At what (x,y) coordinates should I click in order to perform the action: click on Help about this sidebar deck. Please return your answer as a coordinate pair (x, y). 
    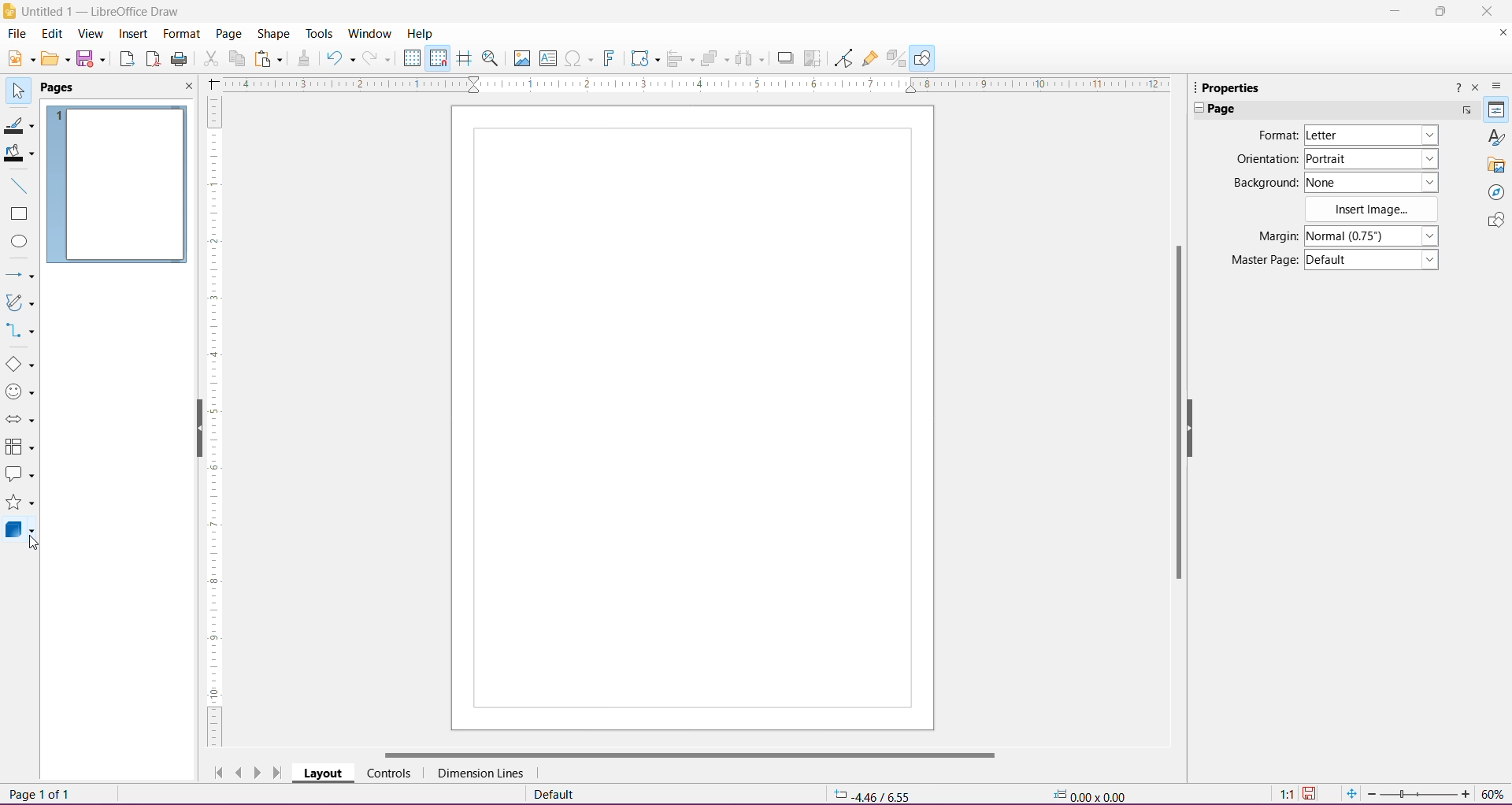
    Looking at the image, I should click on (1456, 91).